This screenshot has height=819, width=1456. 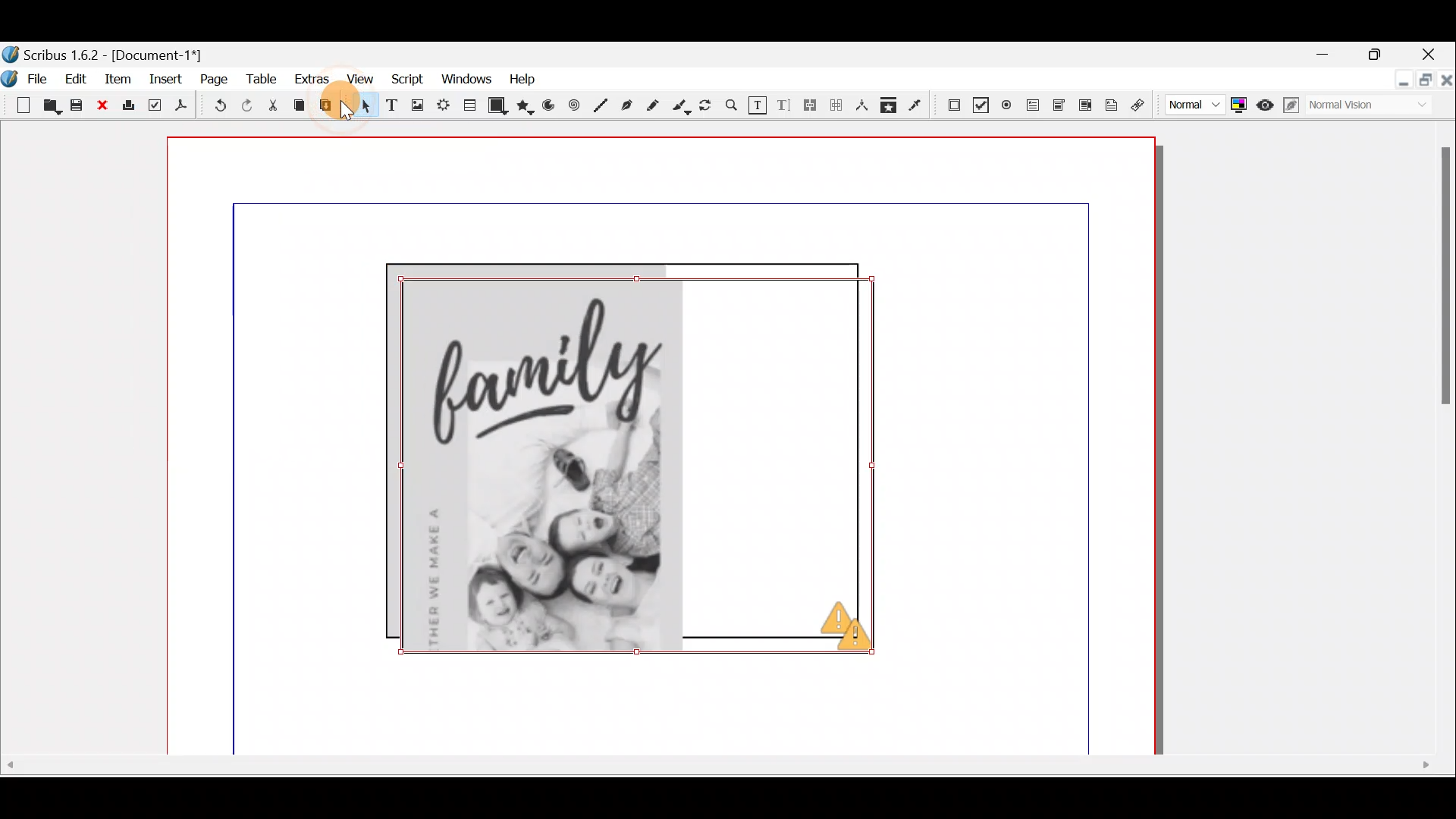 What do you see at coordinates (362, 108) in the screenshot?
I see `Select item` at bounding box center [362, 108].